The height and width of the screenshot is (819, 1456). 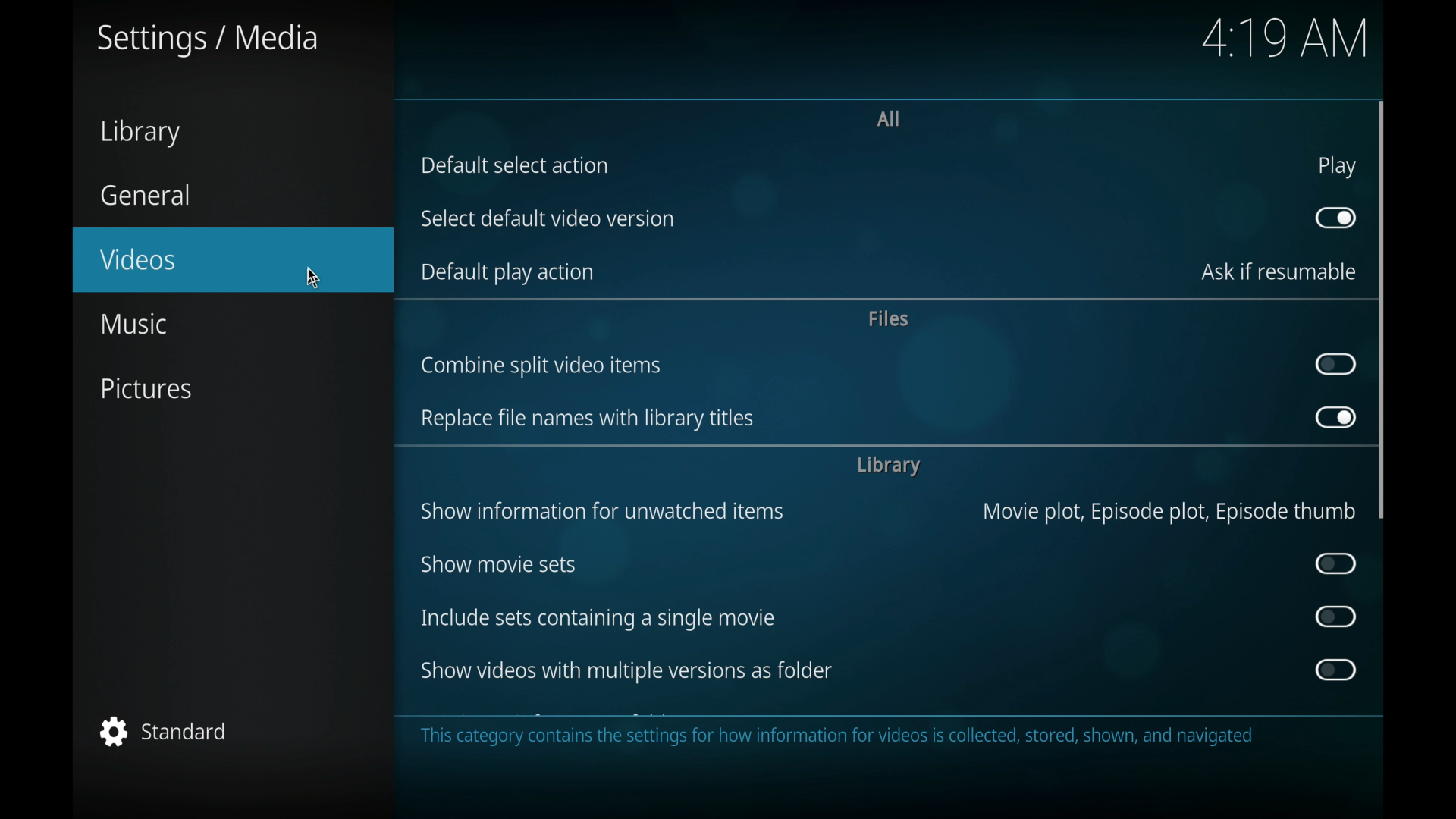 I want to click on select default video version, so click(x=547, y=218).